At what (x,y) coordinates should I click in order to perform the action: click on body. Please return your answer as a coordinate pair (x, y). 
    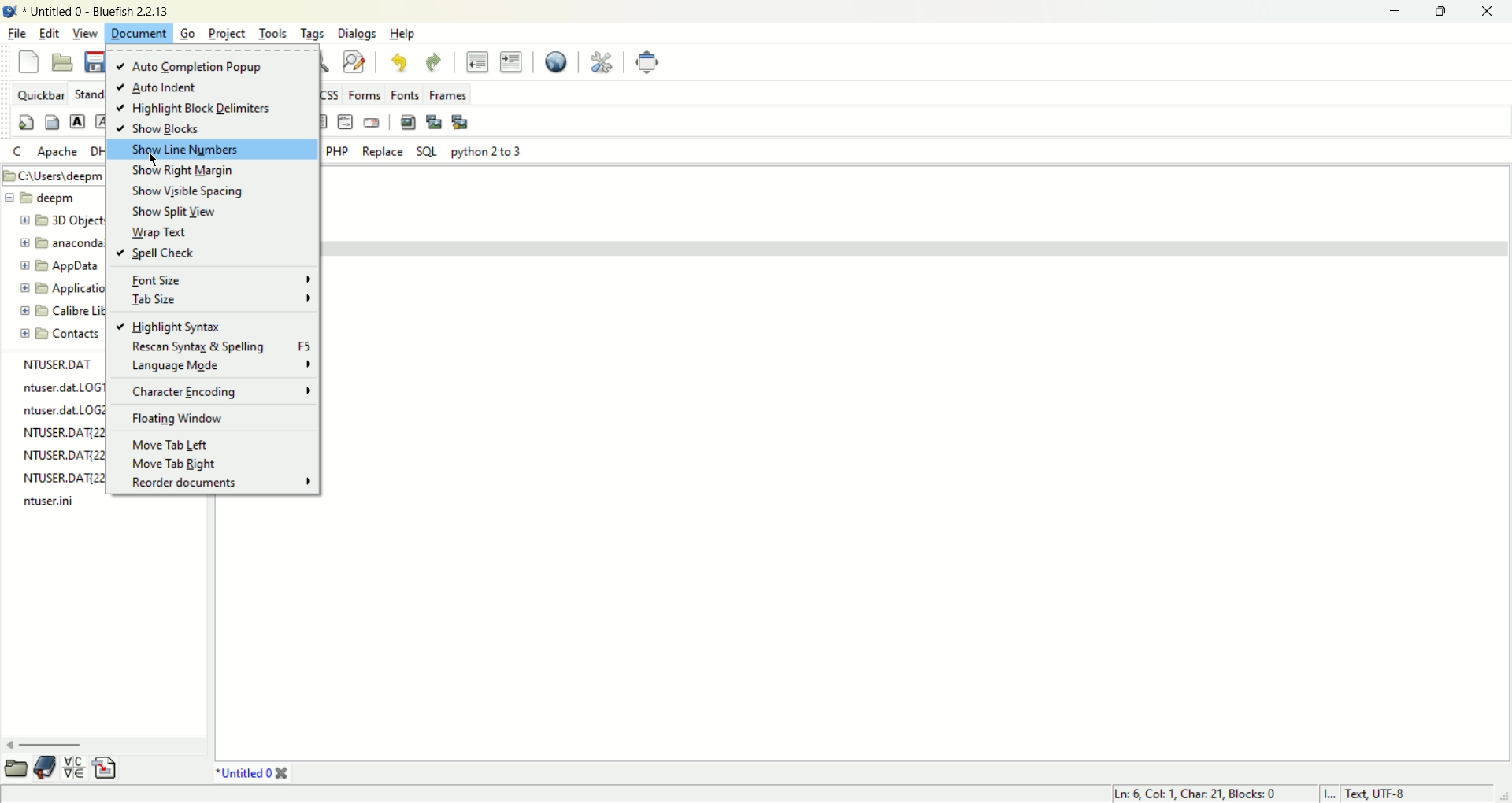
    Looking at the image, I should click on (52, 122).